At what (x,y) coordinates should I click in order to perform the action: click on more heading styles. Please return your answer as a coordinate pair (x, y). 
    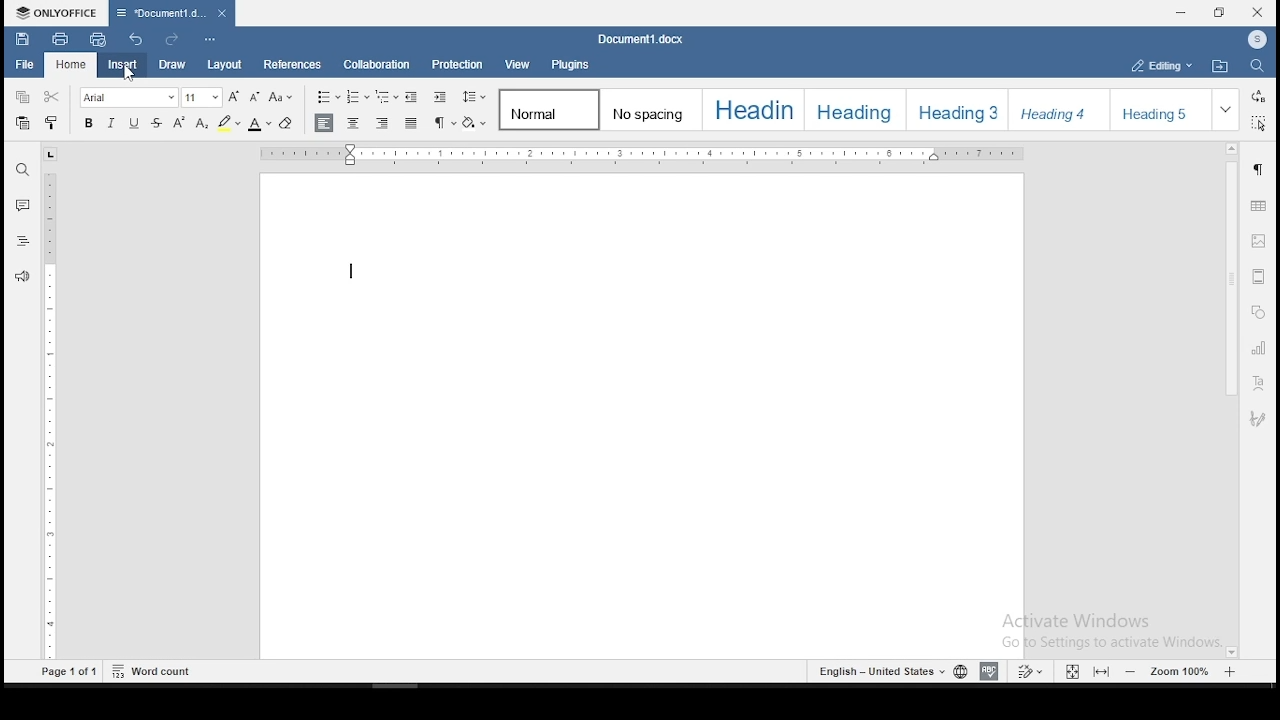
    Looking at the image, I should click on (1227, 108).